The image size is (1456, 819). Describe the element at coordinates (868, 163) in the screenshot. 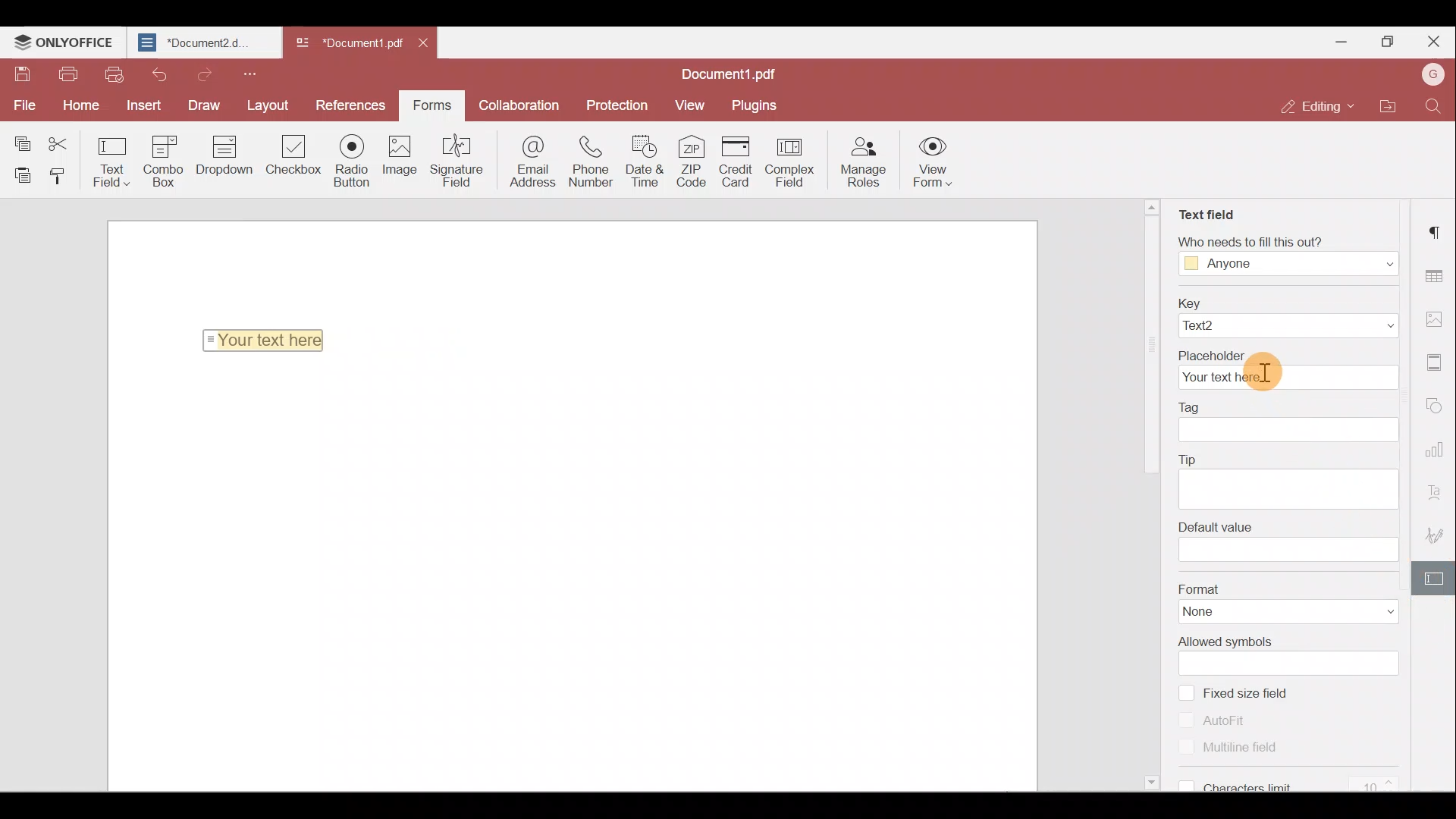

I see `Manage roles` at that location.